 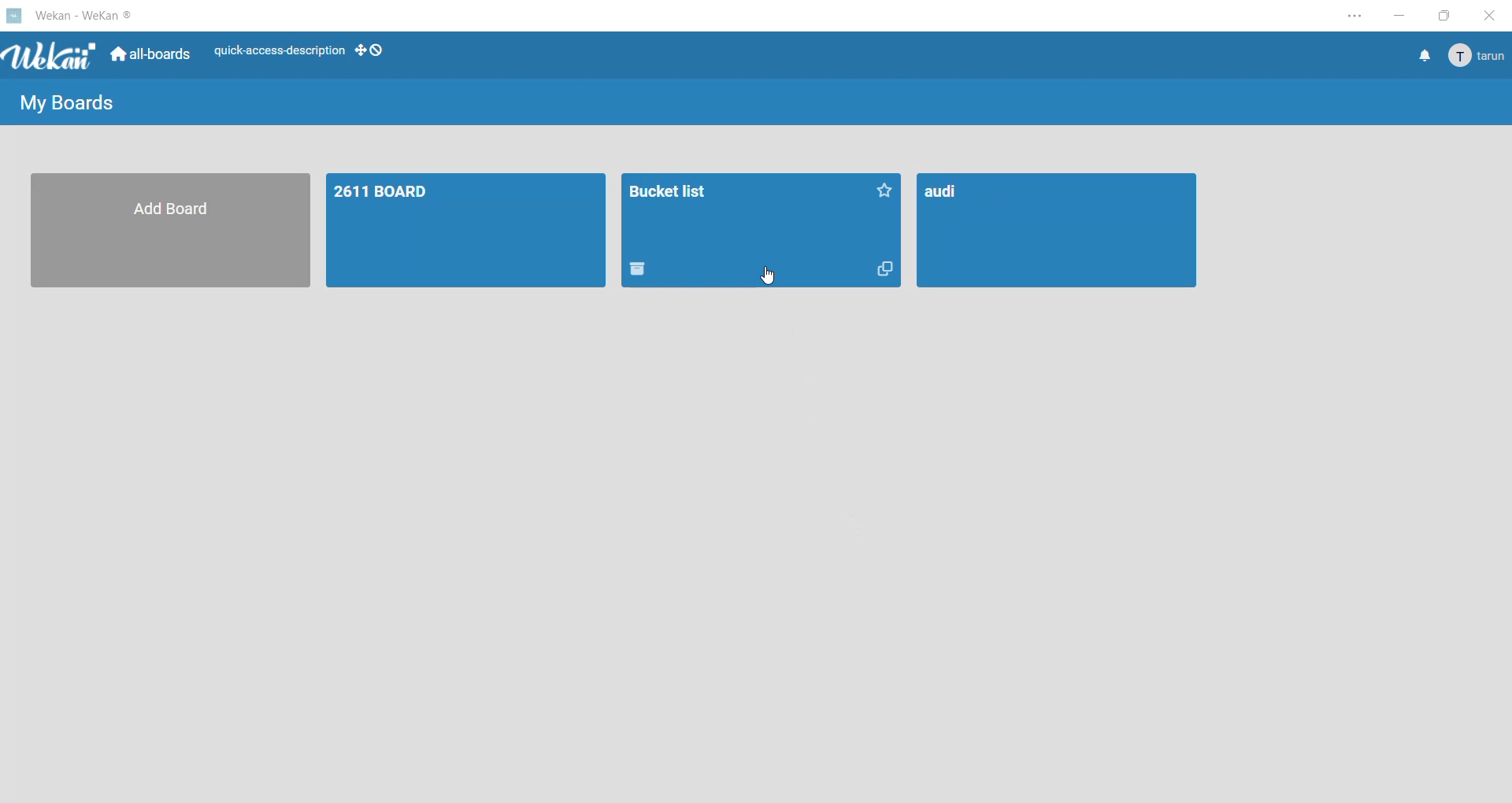 What do you see at coordinates (886, 187) in the screenshot?
I see `Favorite` at bounding box center [886, 187].